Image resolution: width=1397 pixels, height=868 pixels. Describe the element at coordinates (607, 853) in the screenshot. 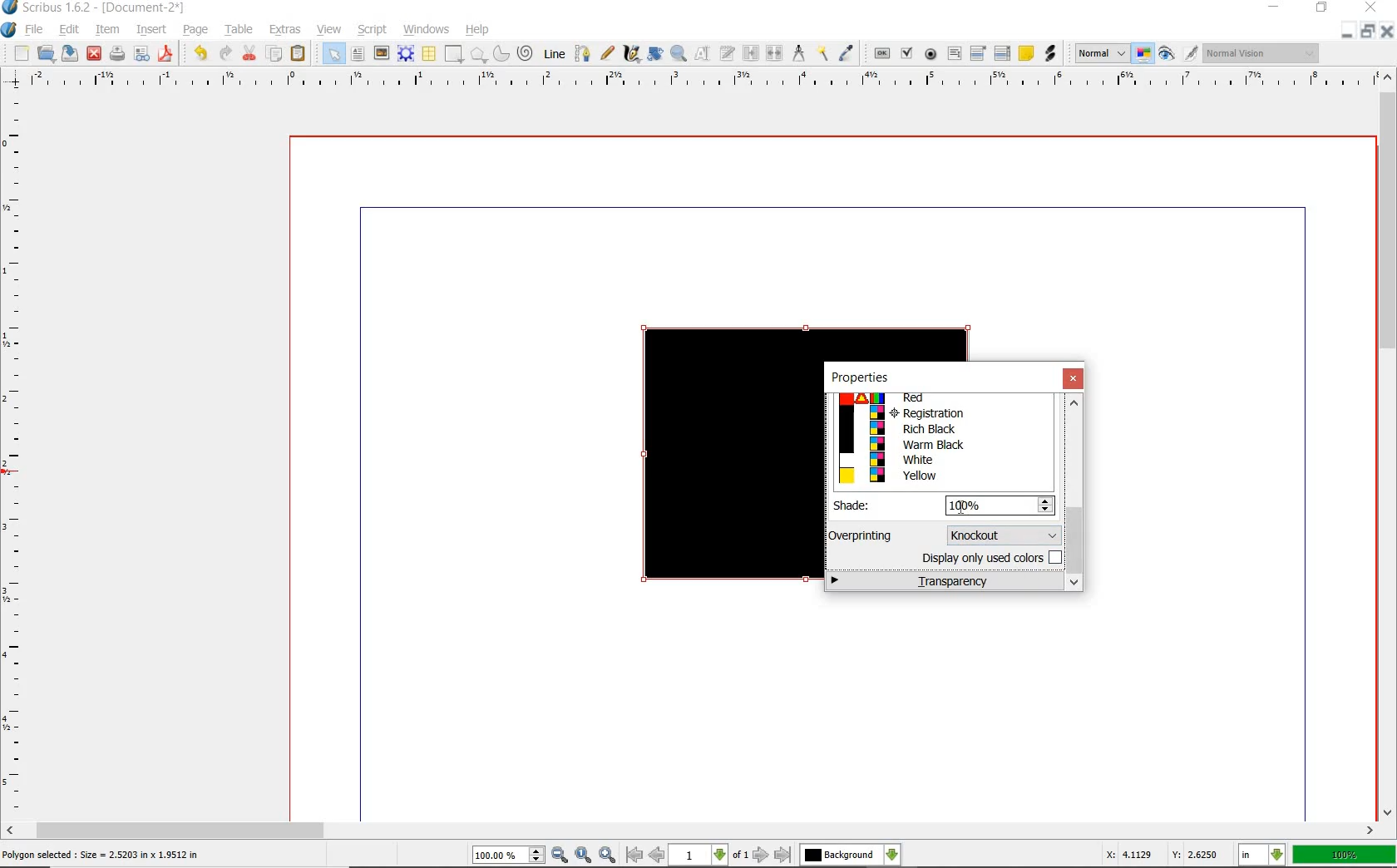

I see `zoom in` at that location.